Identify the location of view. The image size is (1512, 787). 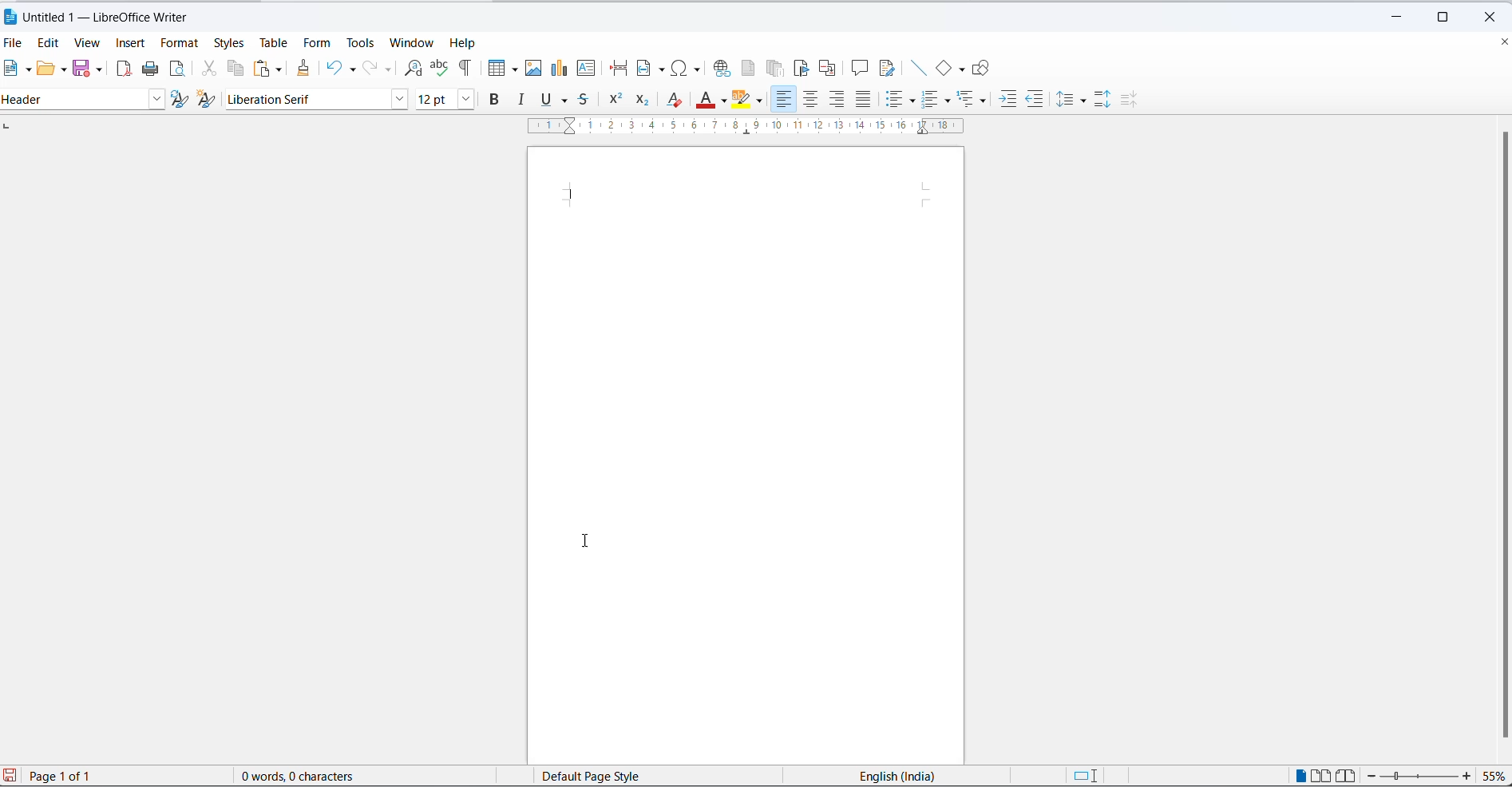
(89, 43).